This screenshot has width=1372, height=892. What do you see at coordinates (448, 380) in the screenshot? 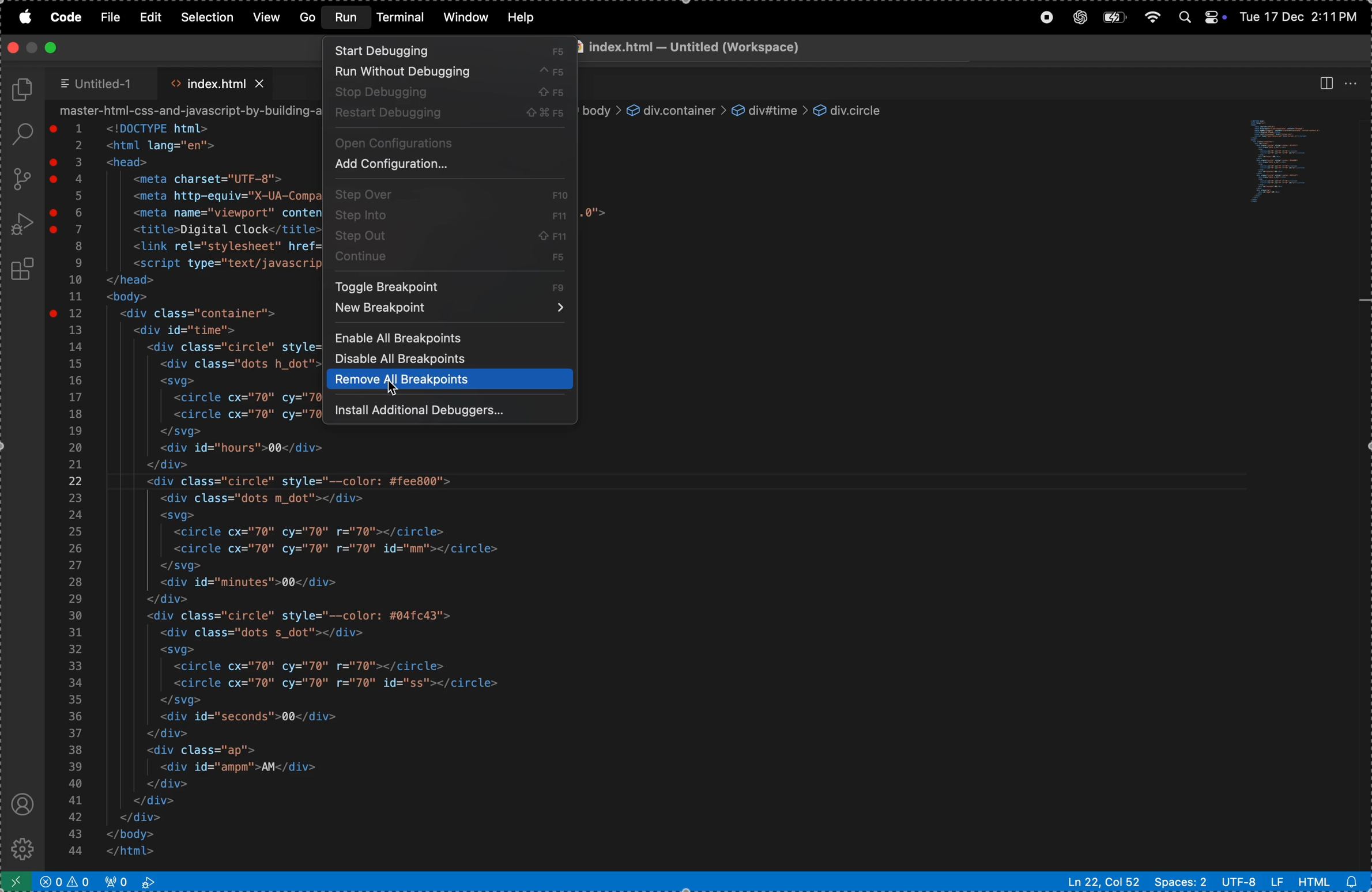
I see `remove all break points` at bounding box center [448, 380].